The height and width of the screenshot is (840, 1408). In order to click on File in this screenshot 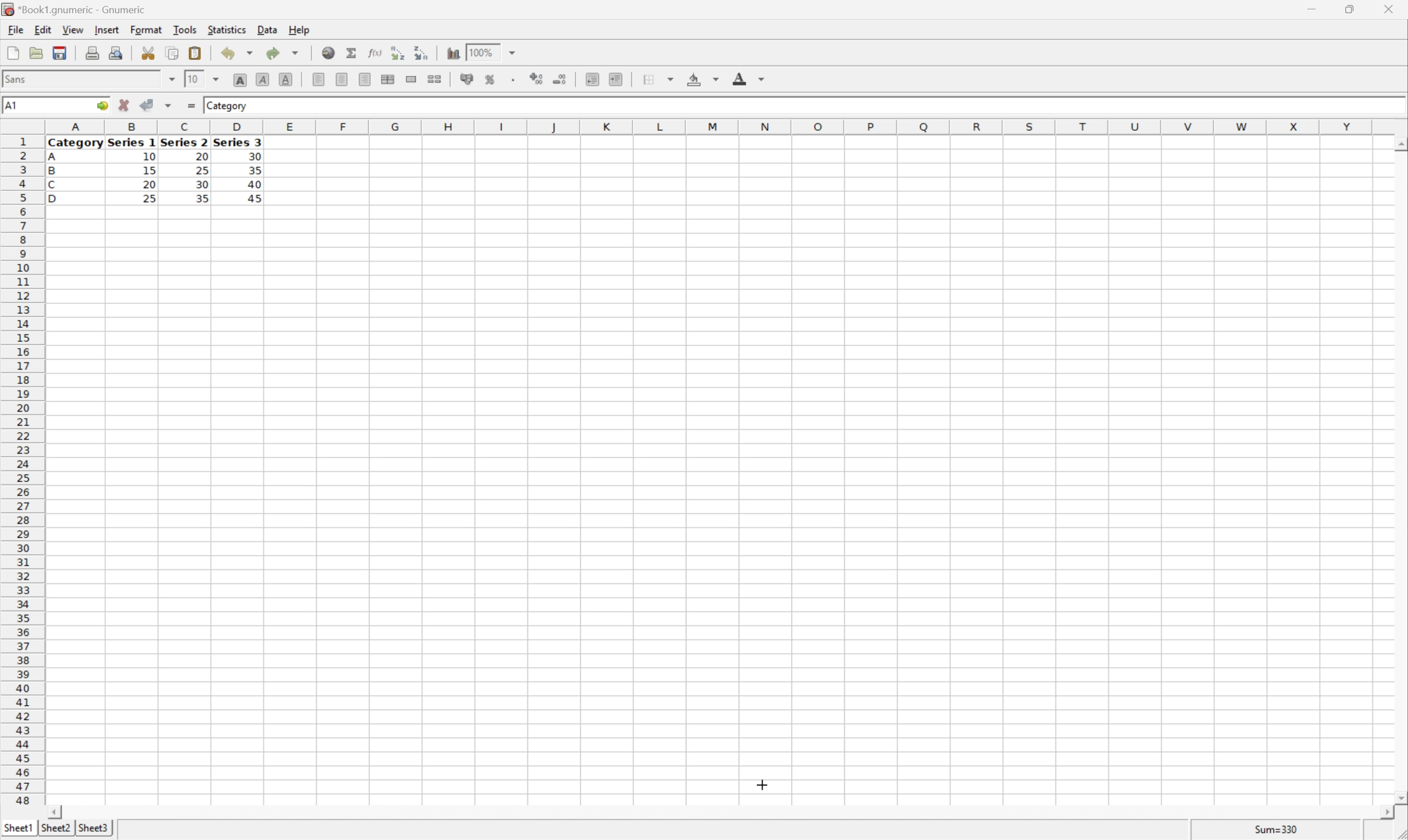, I will do `click(16, 29)`.